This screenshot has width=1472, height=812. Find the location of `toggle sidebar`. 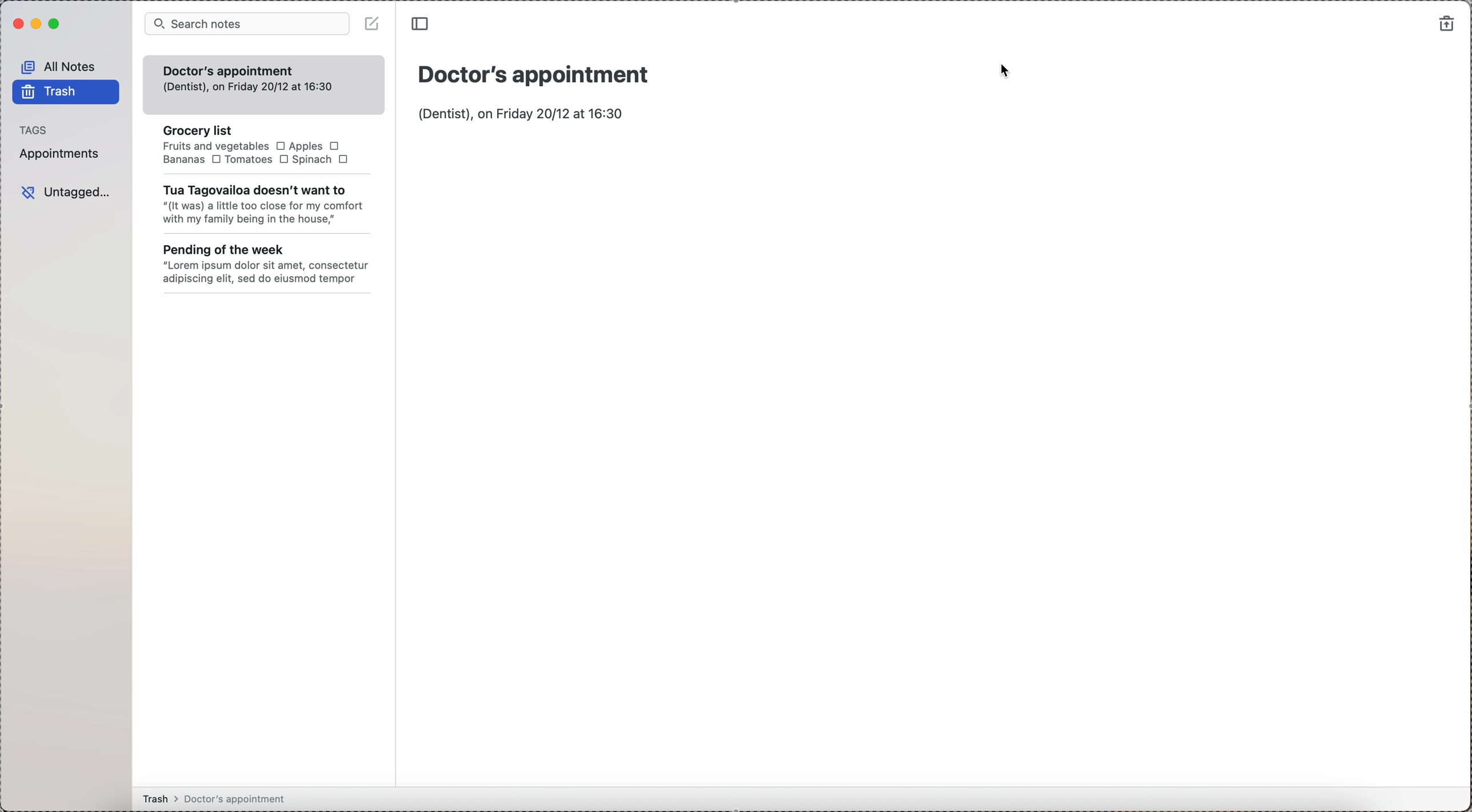

toggle sidebar is located at coordinates (421, 23).